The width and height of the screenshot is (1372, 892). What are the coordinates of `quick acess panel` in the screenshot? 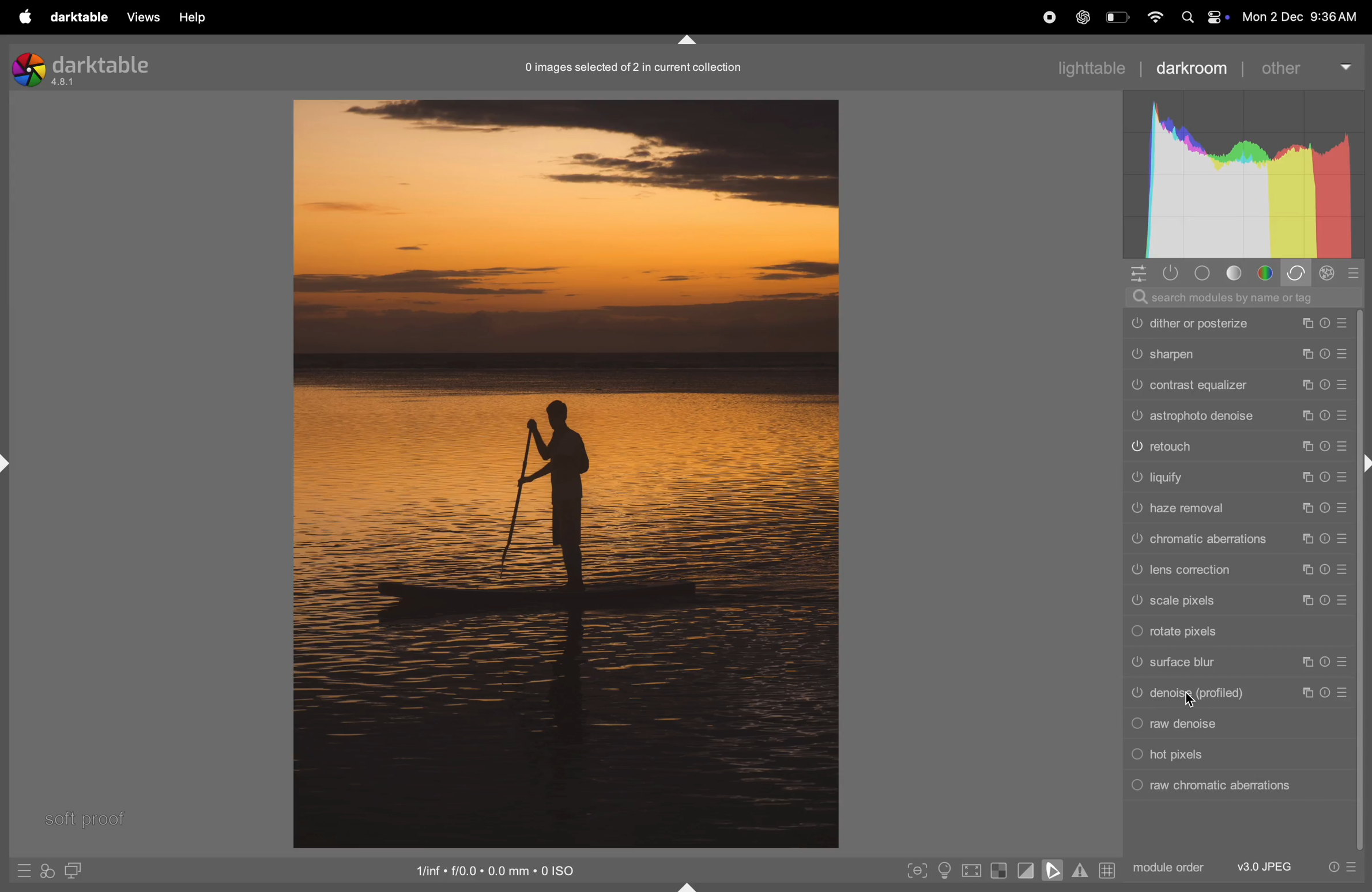 It's located at (1141, 274).